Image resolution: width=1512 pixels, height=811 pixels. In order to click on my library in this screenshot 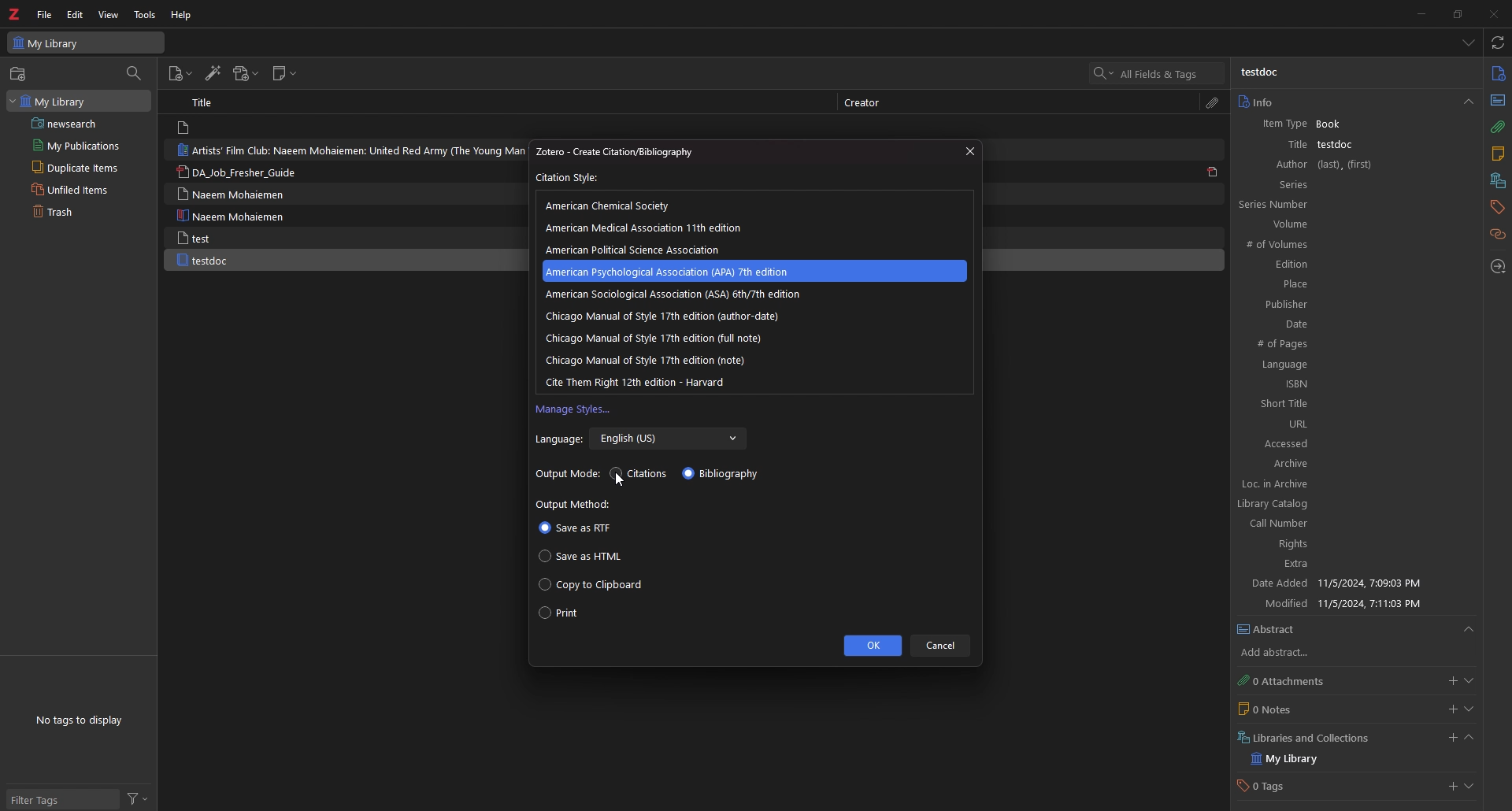, I will do `click(1299, 759)`.